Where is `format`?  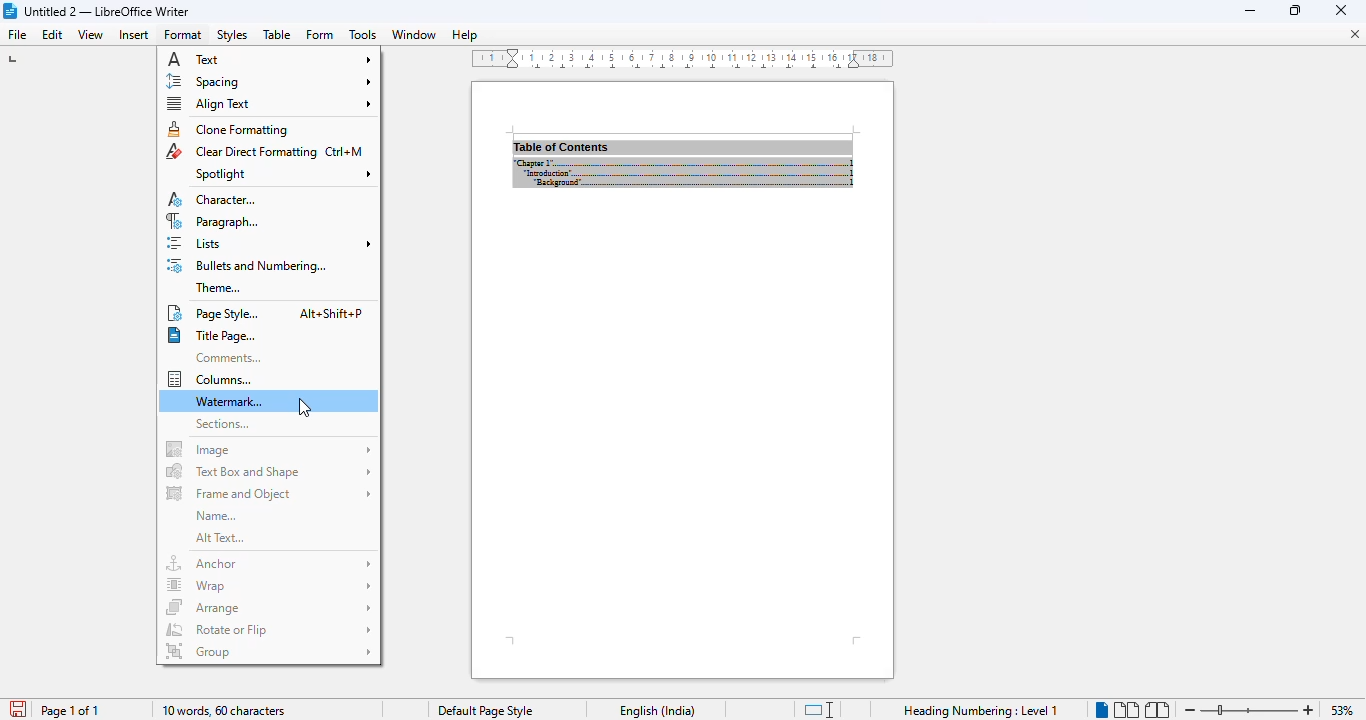 format is located at coordinates (184, 35).